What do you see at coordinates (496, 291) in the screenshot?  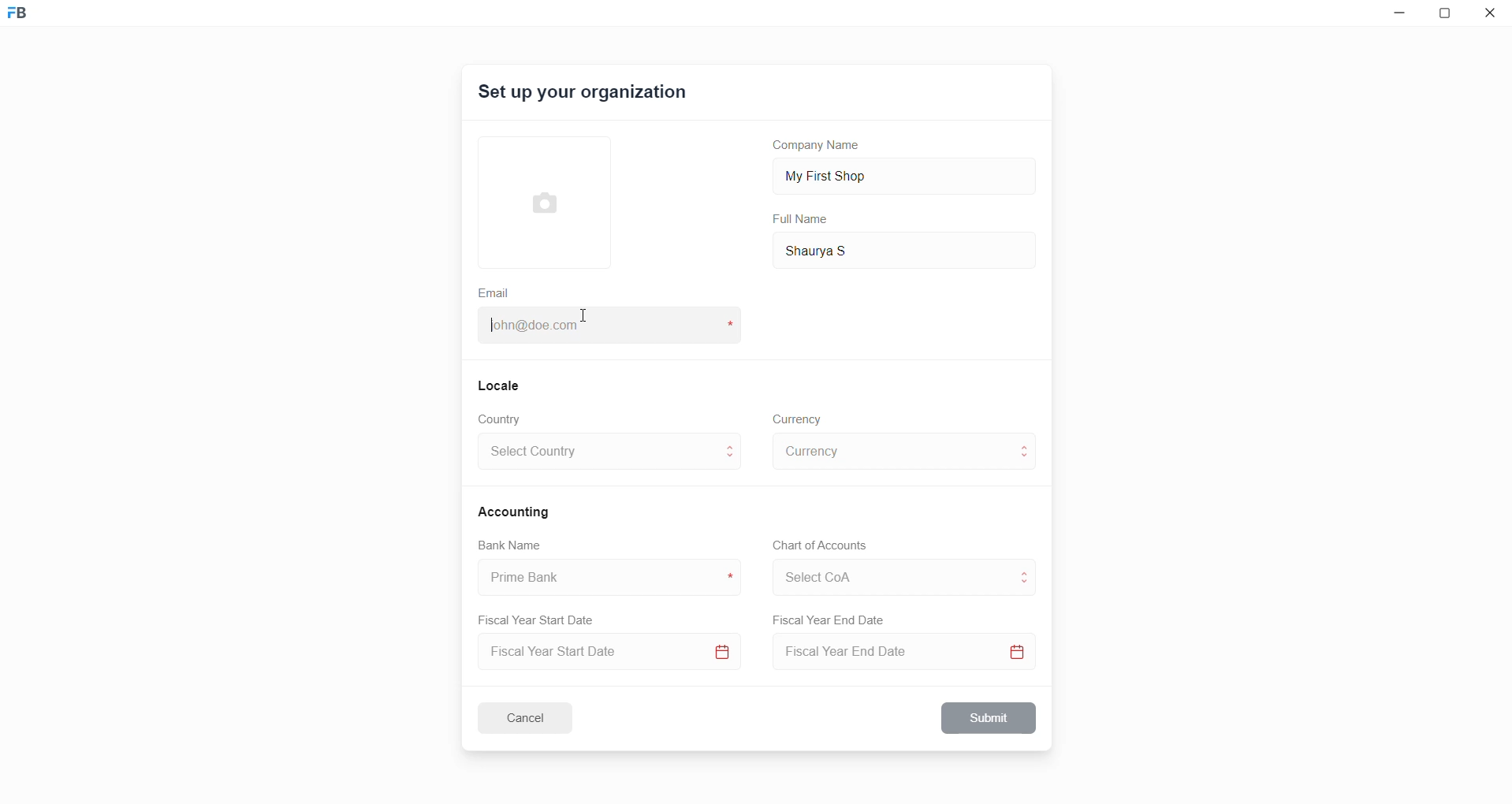 I see `Email` at bounding box center [496, 291].